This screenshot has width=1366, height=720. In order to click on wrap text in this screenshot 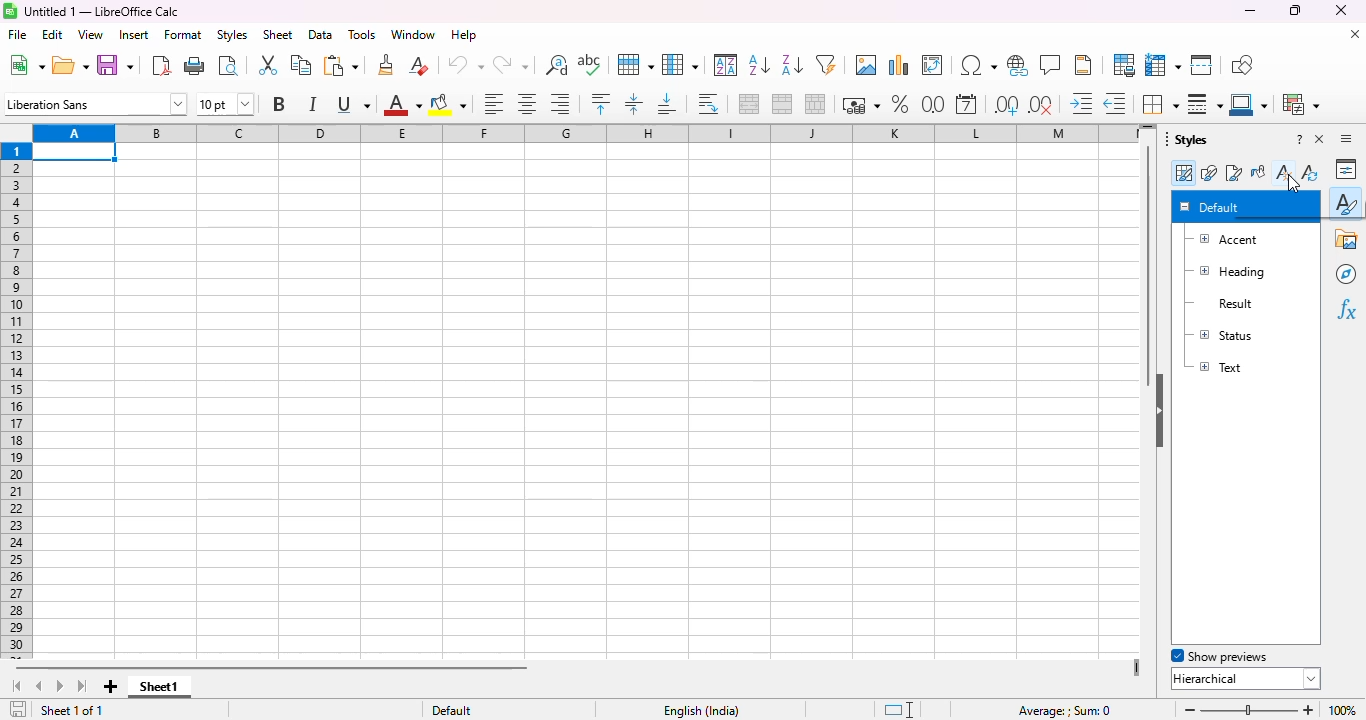, I will do `click(707, 104)`.